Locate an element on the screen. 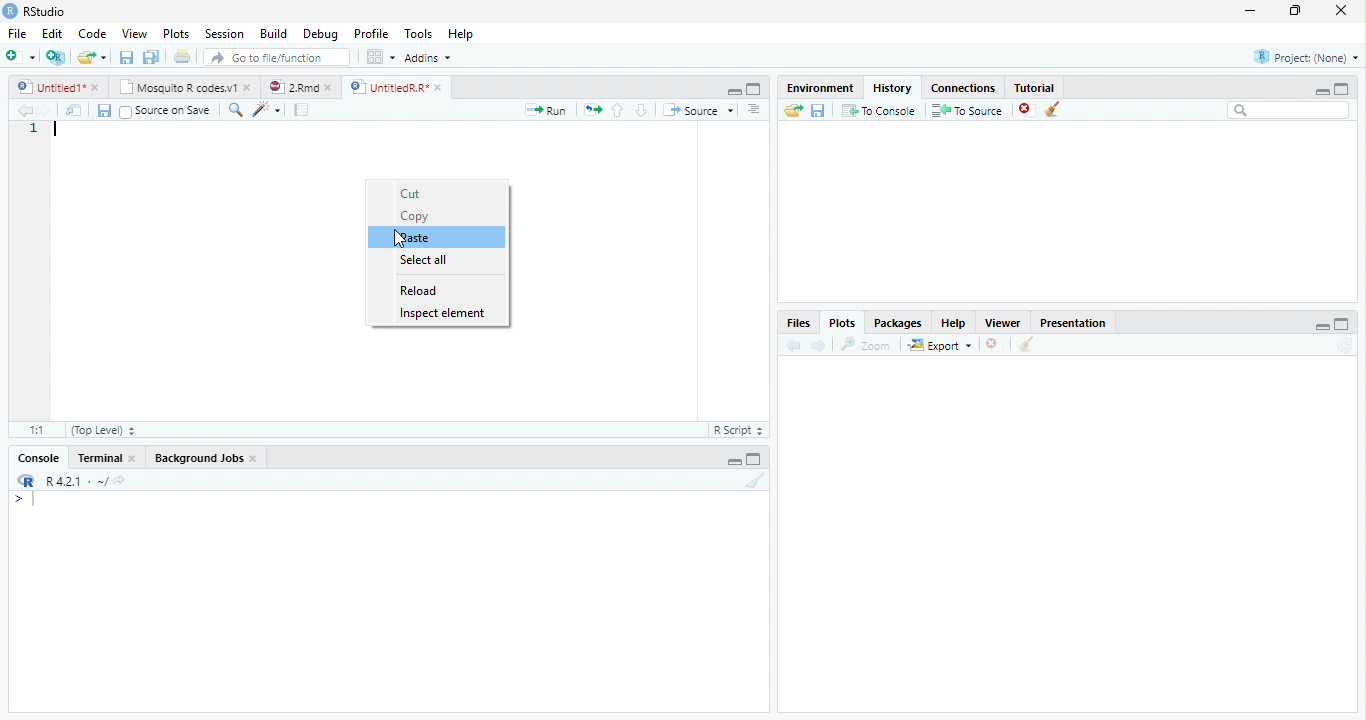 The width and height of the screenshot is (1366, 720). Tools is located at coordinates (419, 34).